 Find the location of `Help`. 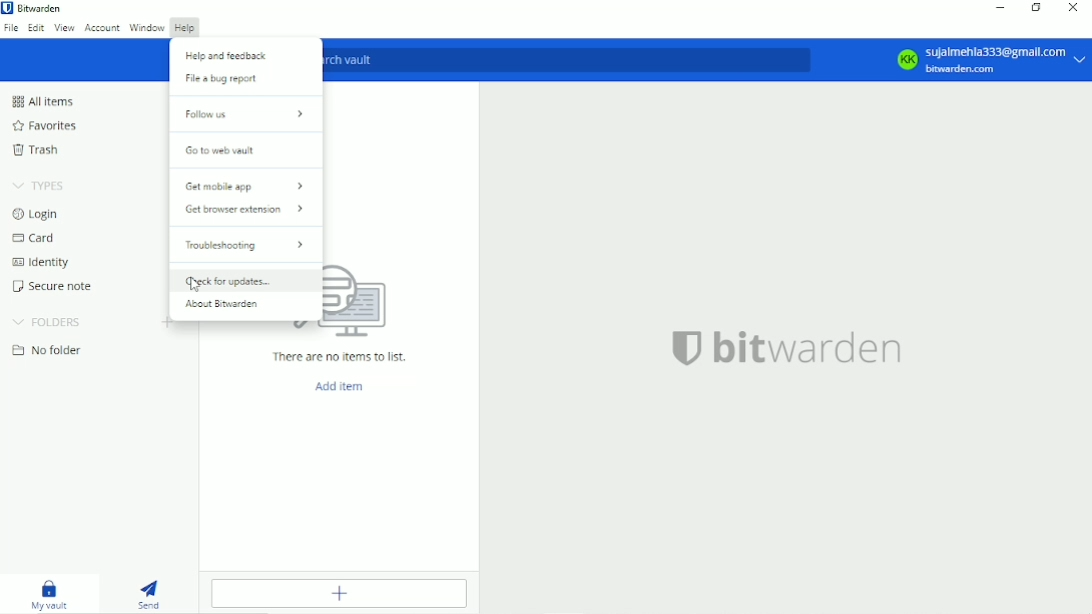

Help is located at coordinates (186, 28).